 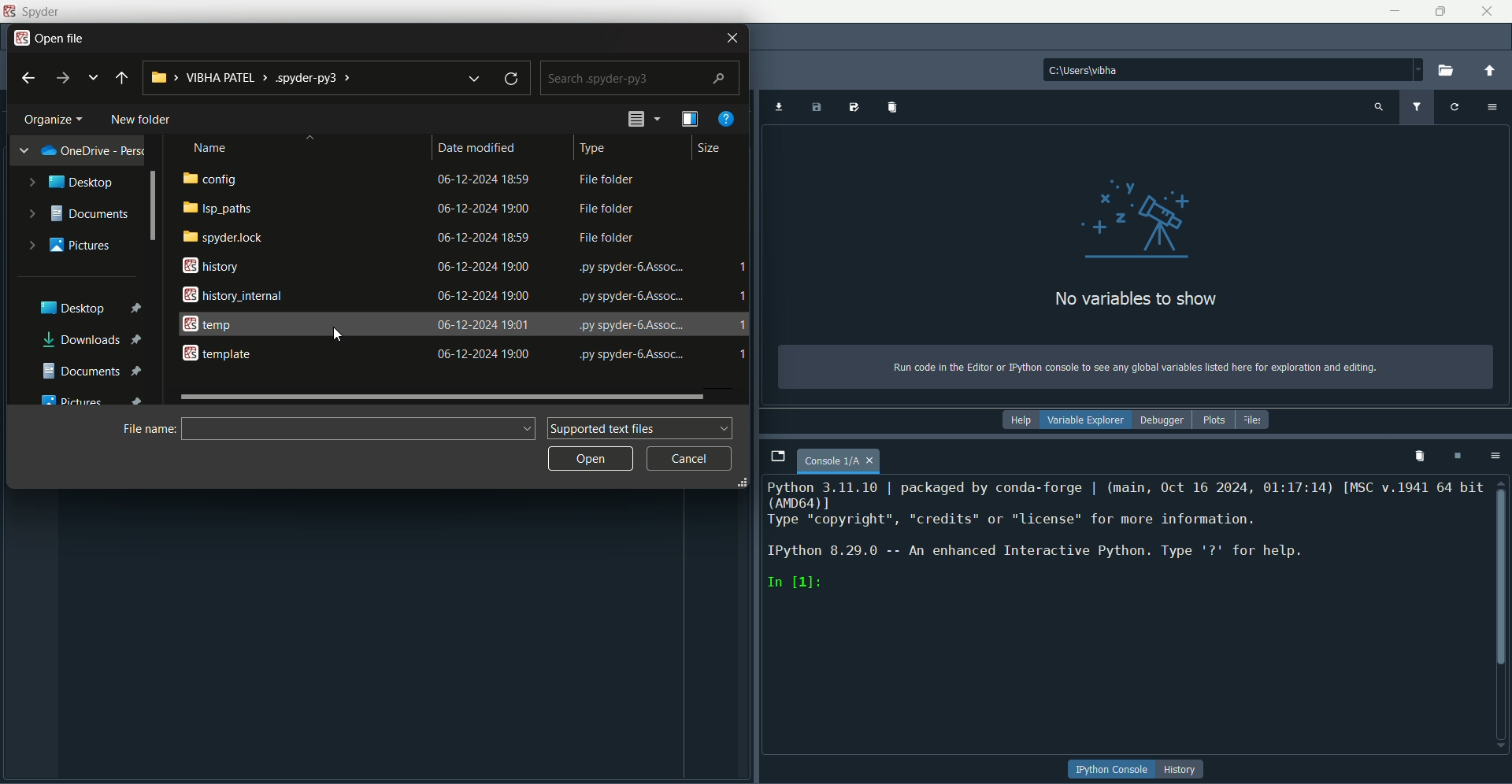 What do you see at coordinates (205, 266) in the screenshot?
I see `history` at bounding box center [205, 266].